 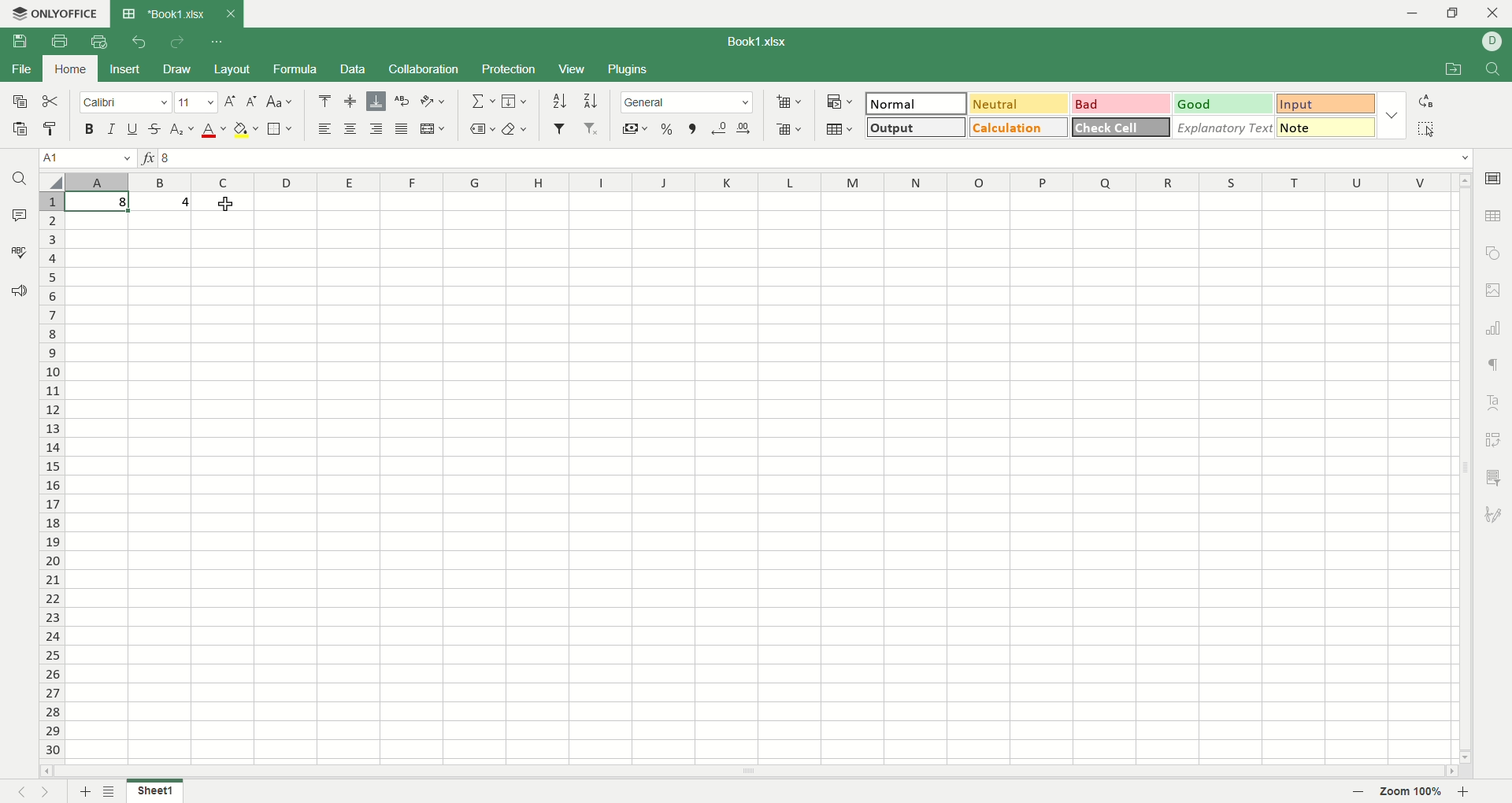 What do you see at coordinates (510, 71) in the screenshot?
I see `protection` at bounding box center [510, 71].